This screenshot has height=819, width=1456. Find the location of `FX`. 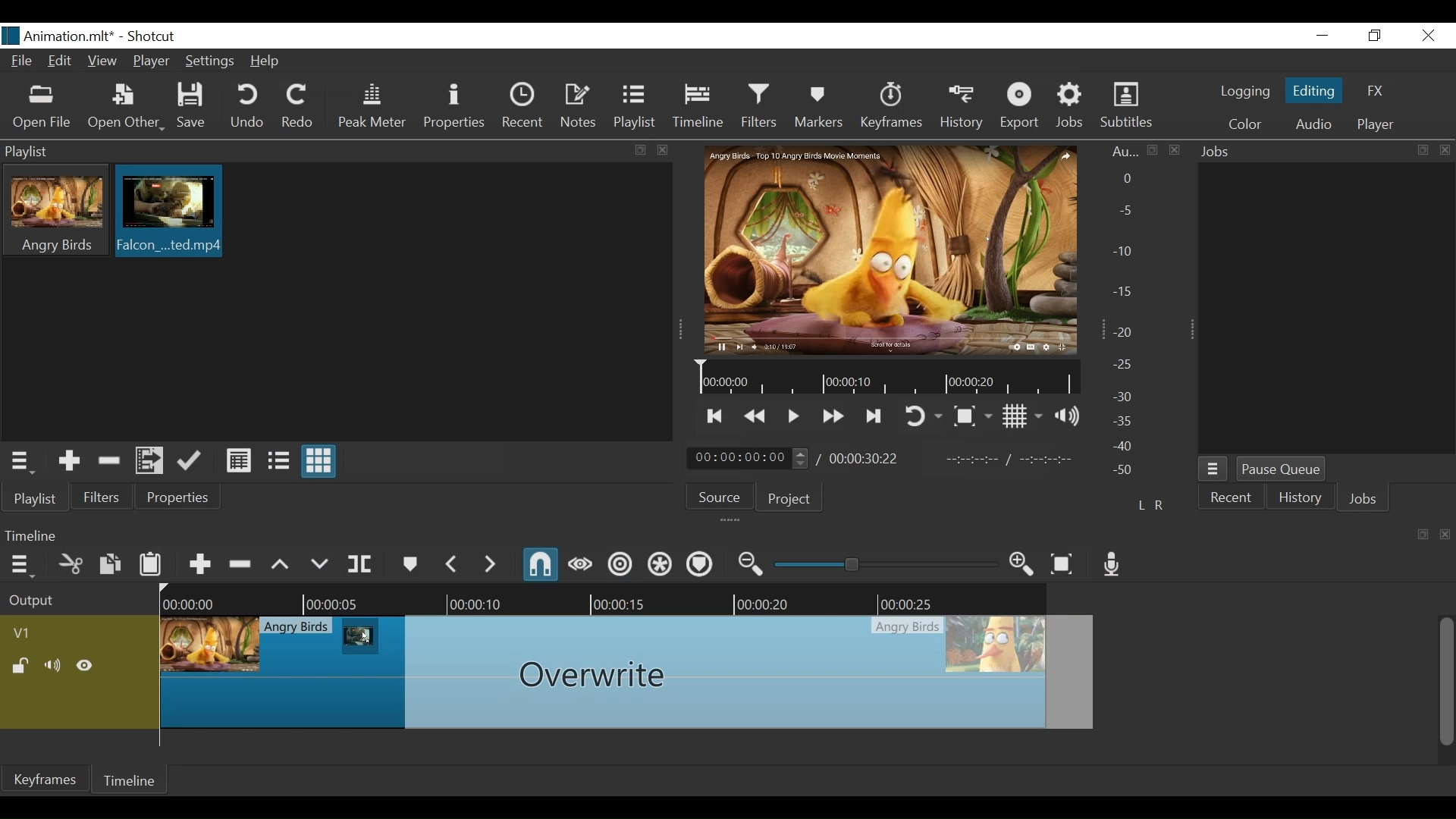

FX is located at coordinates (1376, 91).